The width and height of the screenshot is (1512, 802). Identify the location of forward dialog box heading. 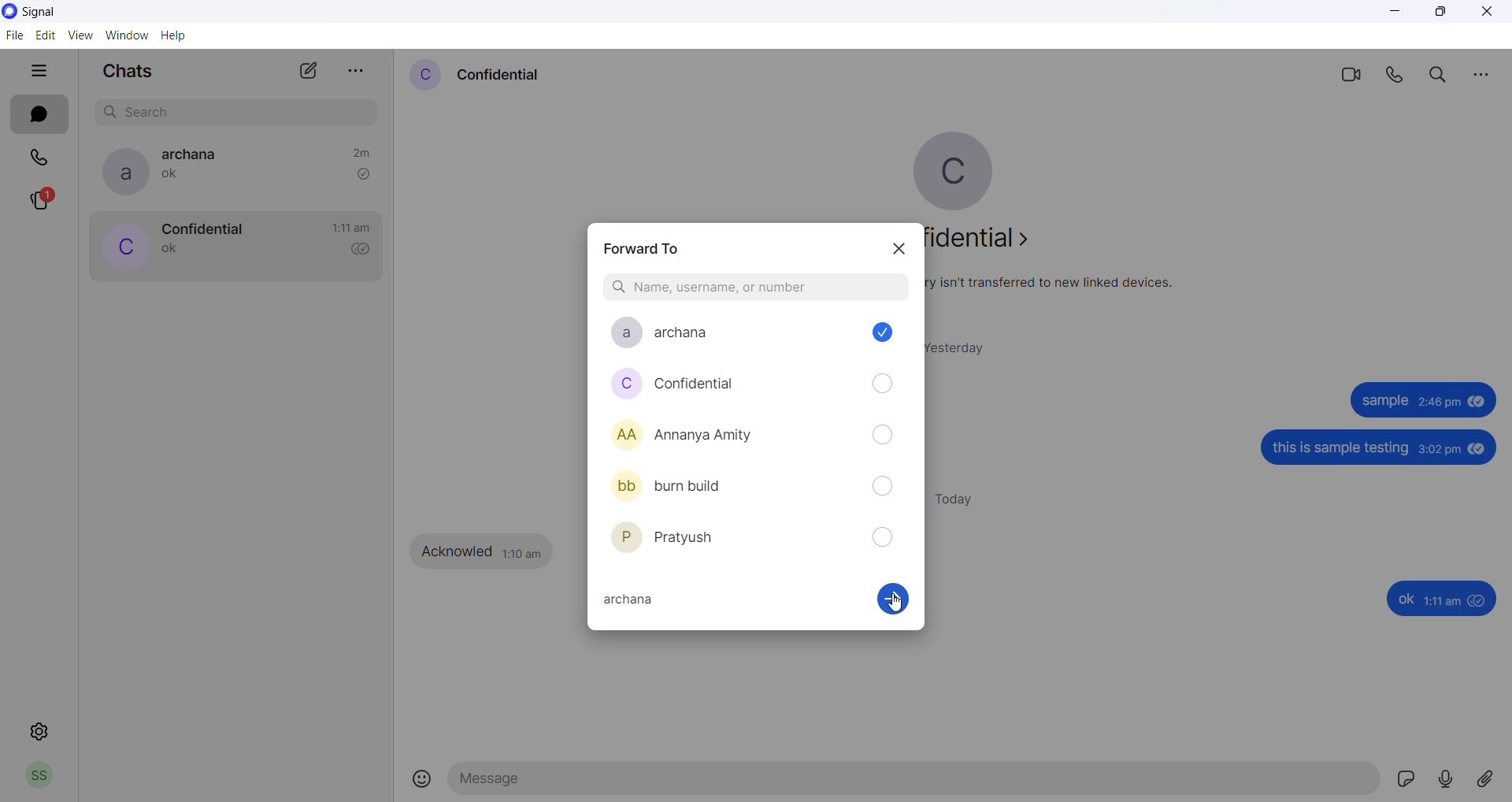
(647, 244).